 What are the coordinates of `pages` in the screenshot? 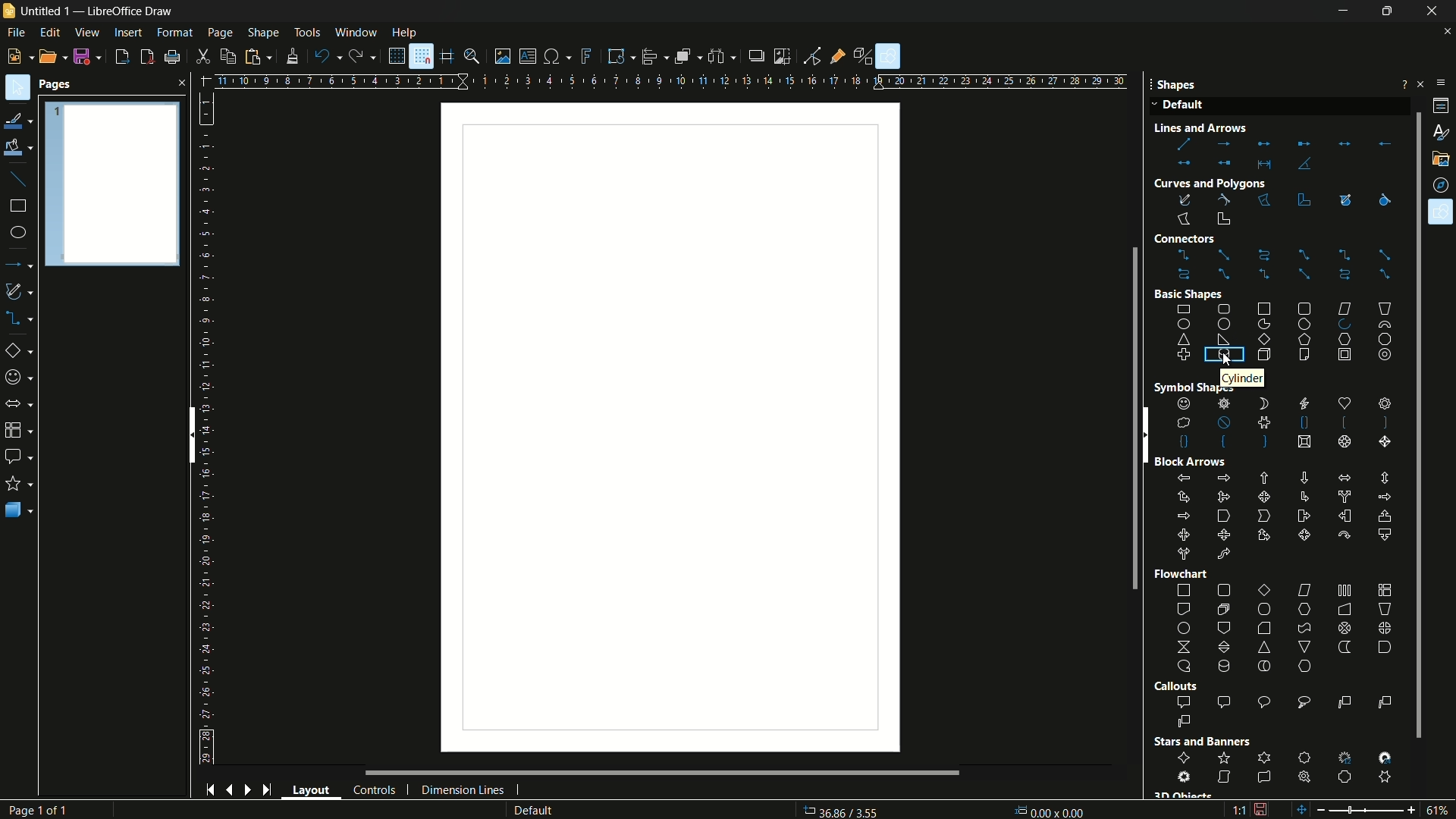 It's located at (55, 85).